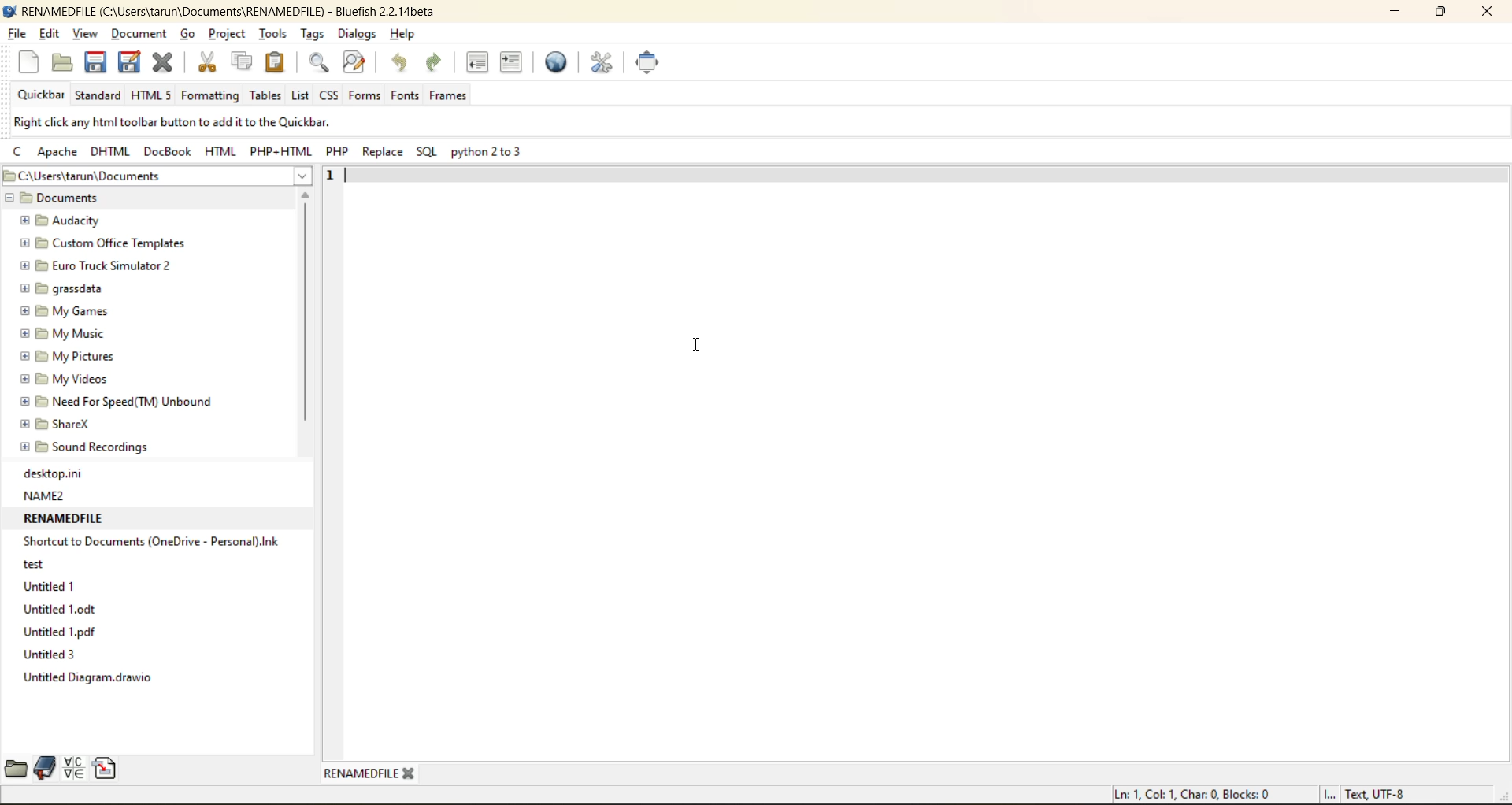 The width and height of the screenshot is (1512, 805). What do you see at coordinates (511, 62) in the screenshot?
I see `indent` at bounding box center [511, 62].